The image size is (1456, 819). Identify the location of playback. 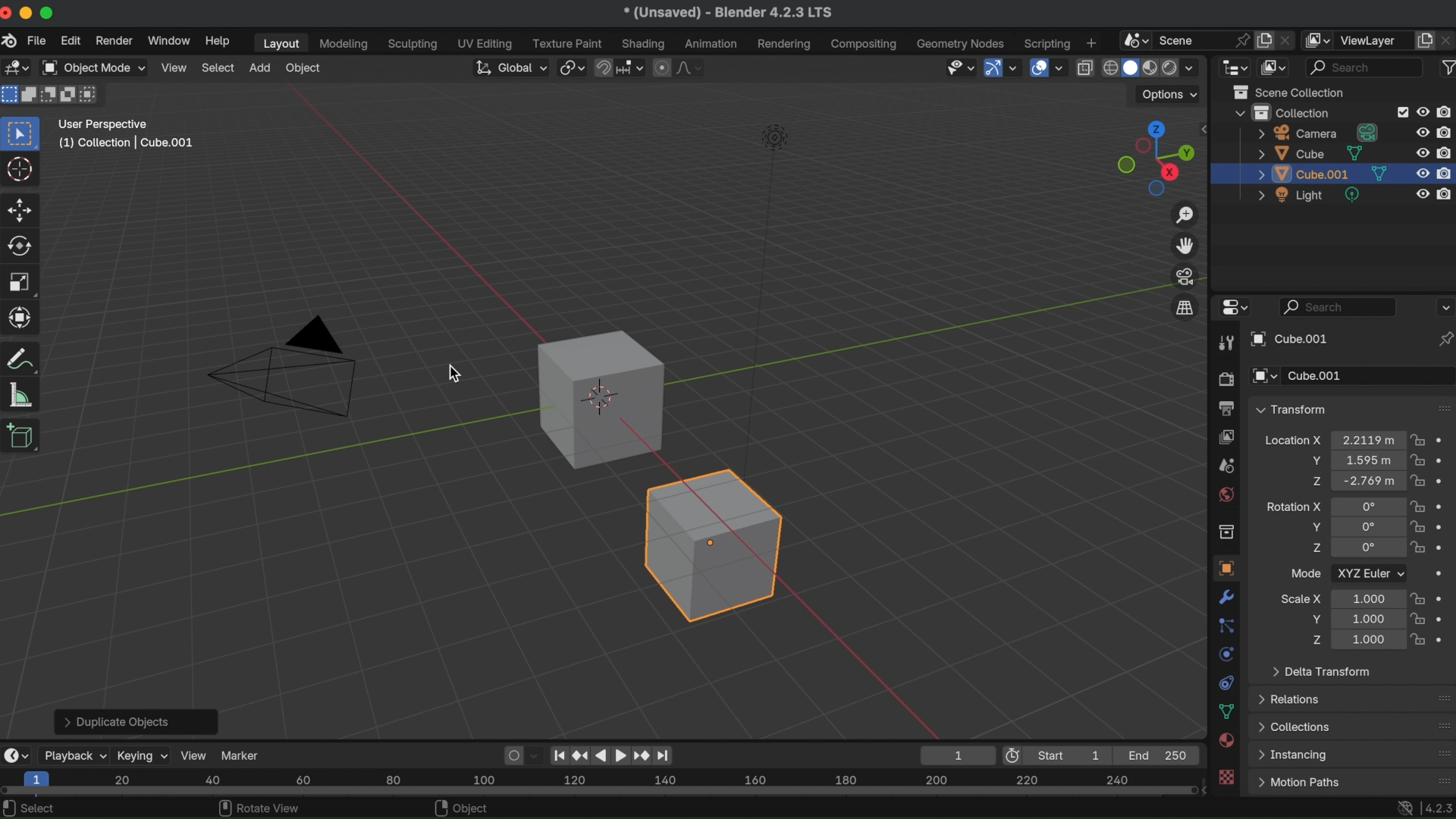
(74, 755).